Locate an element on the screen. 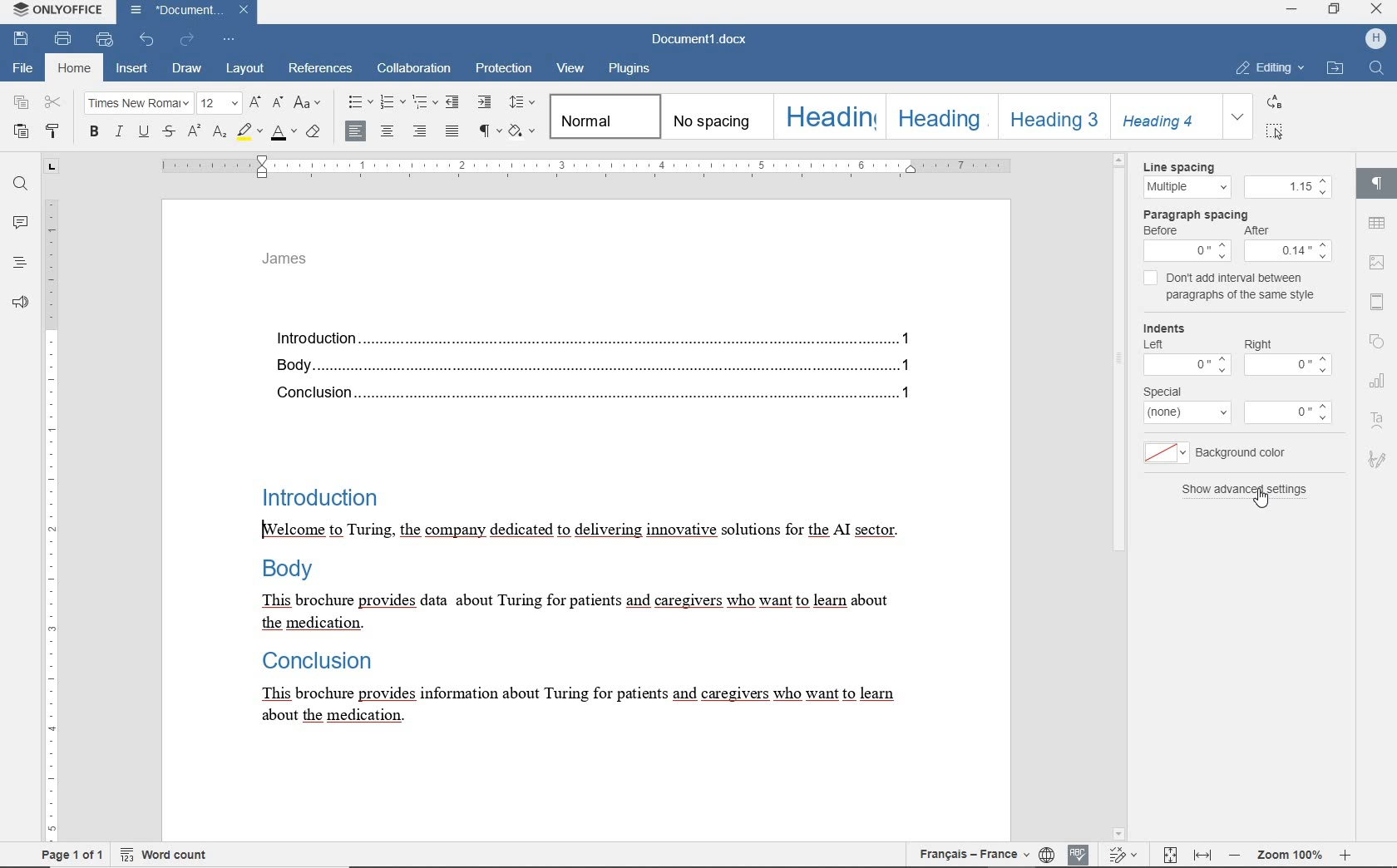  more options is located at coordinates (1185, 363).